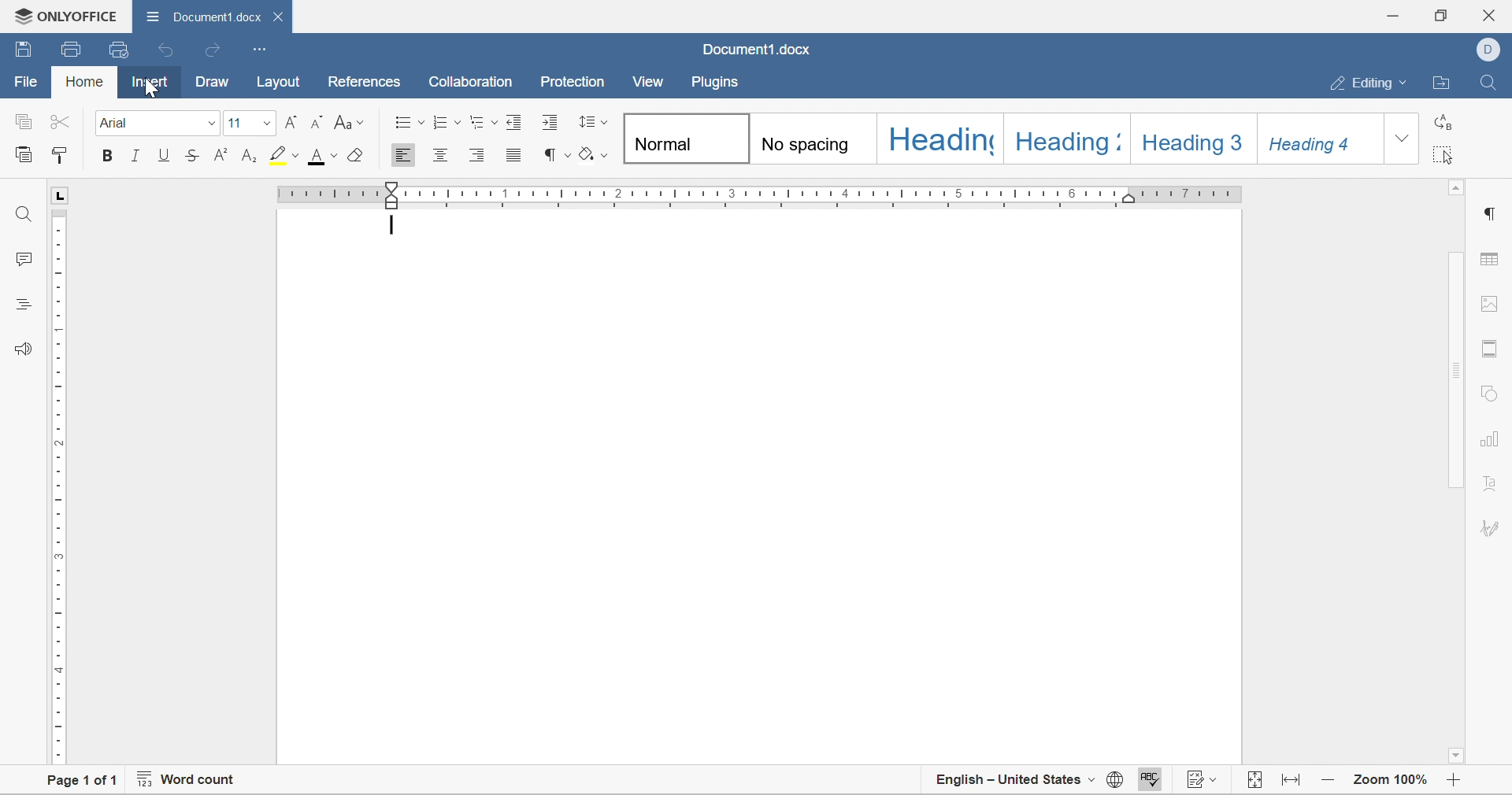 The width and height of the screenshot is (1512, 795). I want to click on Normal, so click(680, 139).